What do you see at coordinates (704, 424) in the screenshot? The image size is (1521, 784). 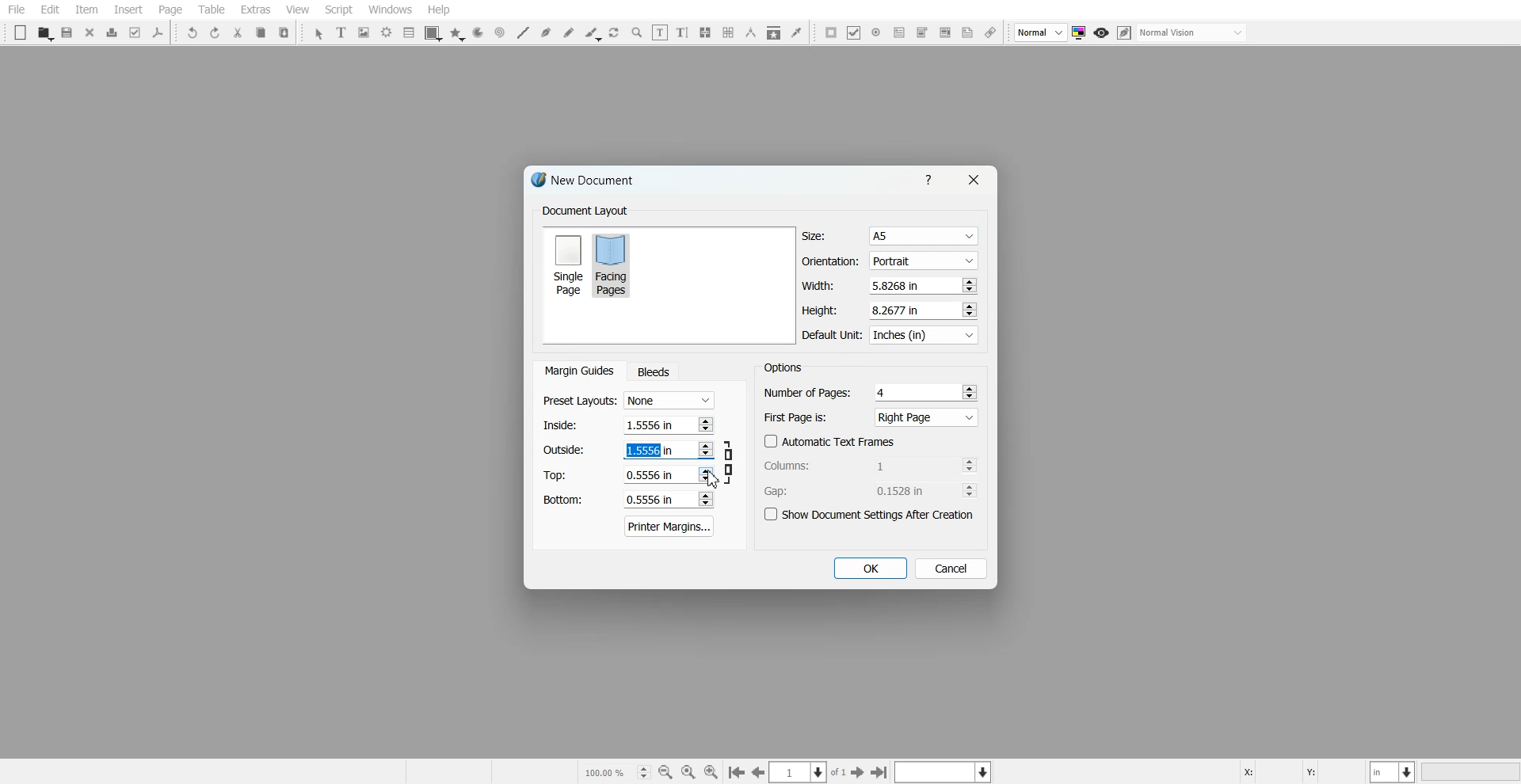 I see `Increase and decrease No. ` at bounding box center [704, 424].